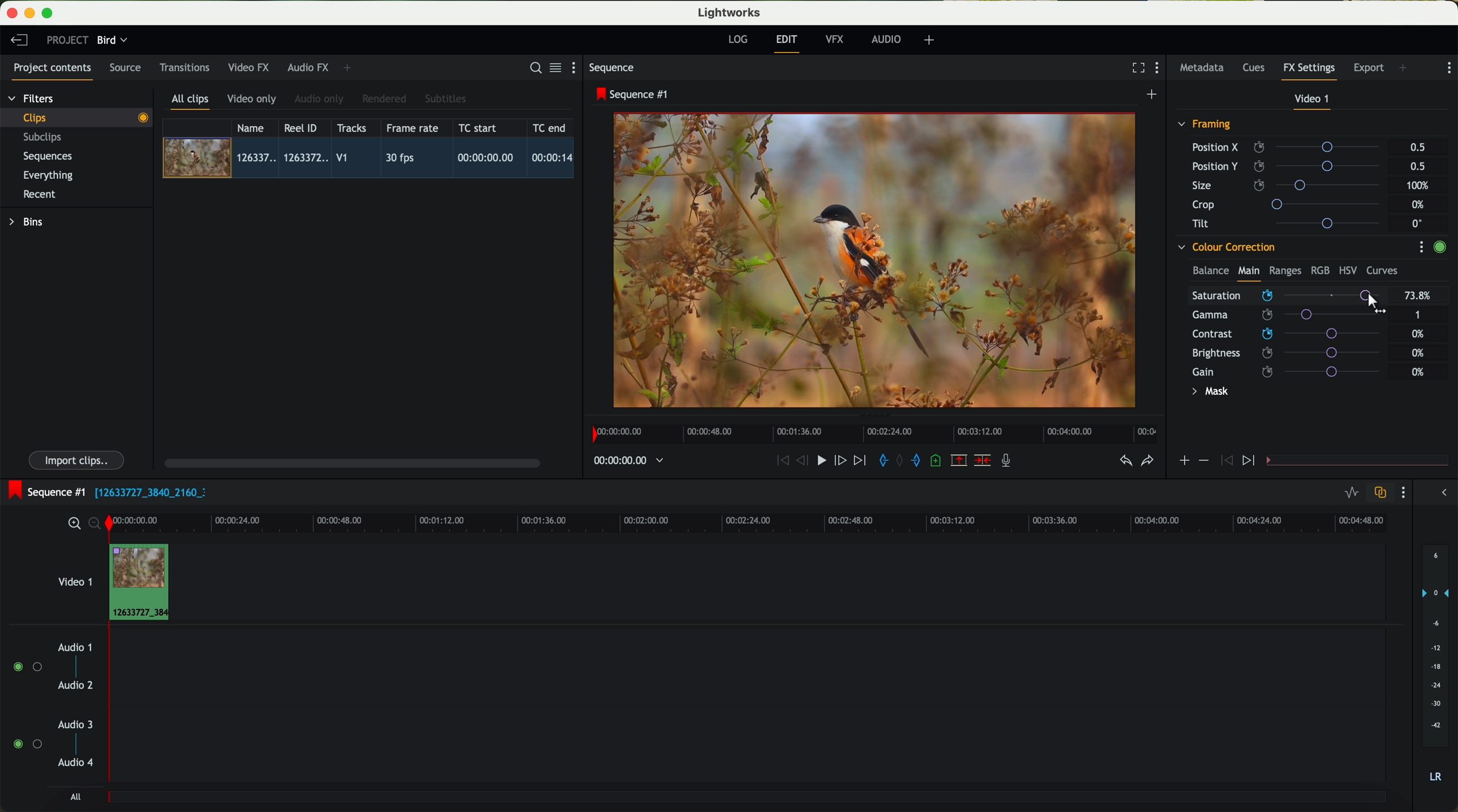  I want to click on icon, so click(1225, 461).